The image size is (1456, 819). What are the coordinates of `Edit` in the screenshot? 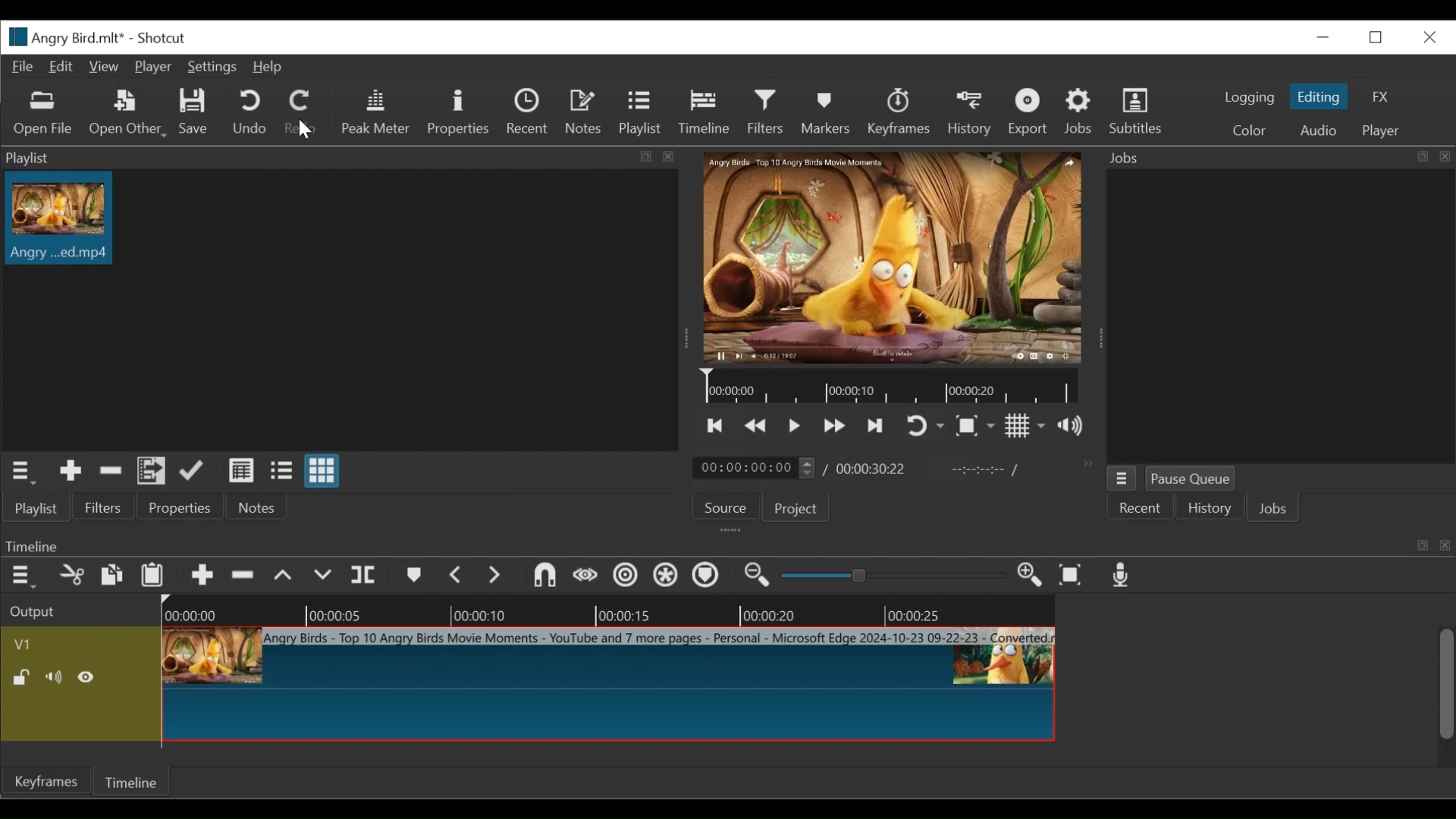 It's located at (61, 67).